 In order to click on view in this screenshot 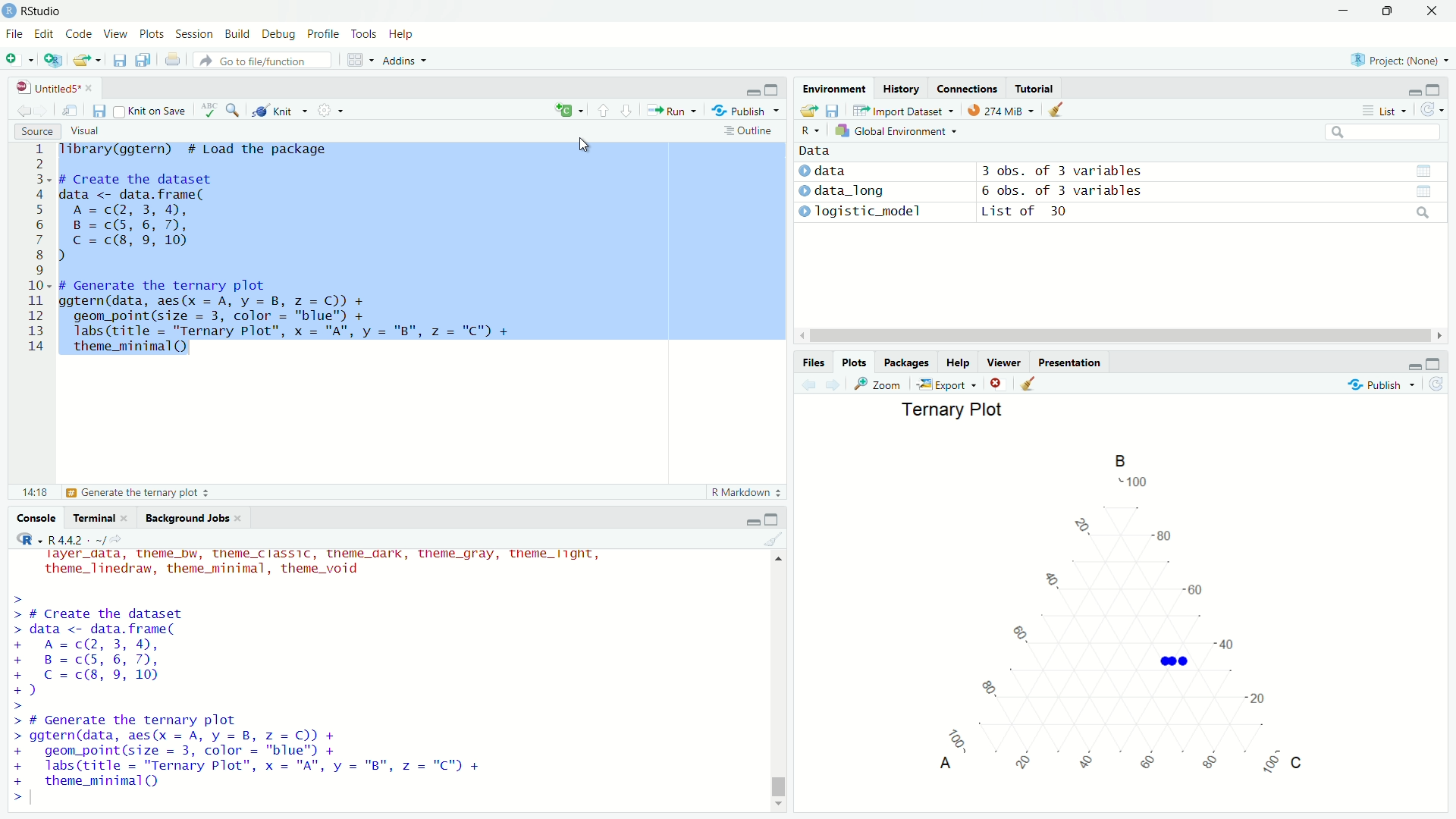, I will do `click(1422, 170)`.